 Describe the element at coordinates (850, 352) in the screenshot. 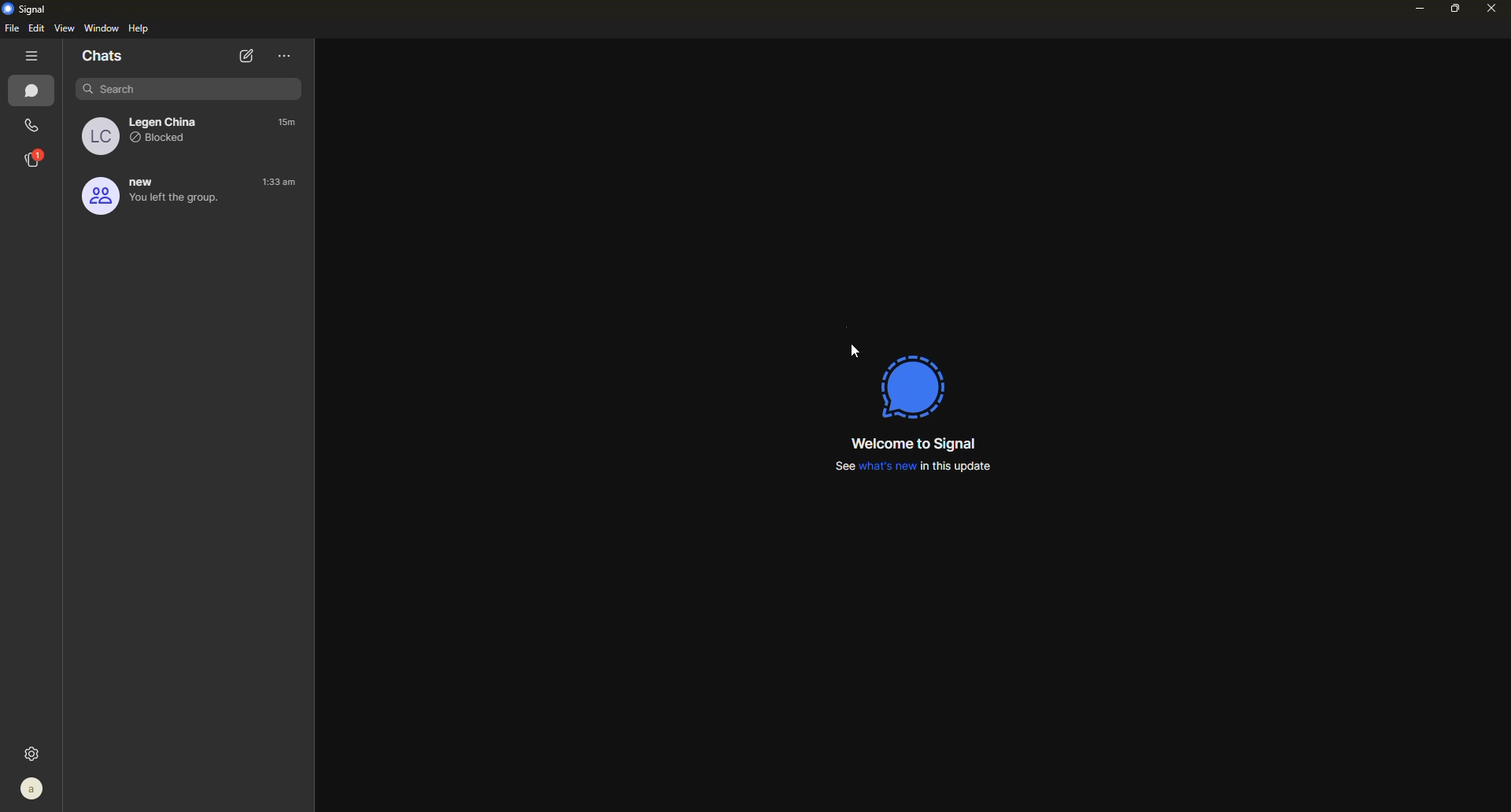

I see `cursor` at that location.